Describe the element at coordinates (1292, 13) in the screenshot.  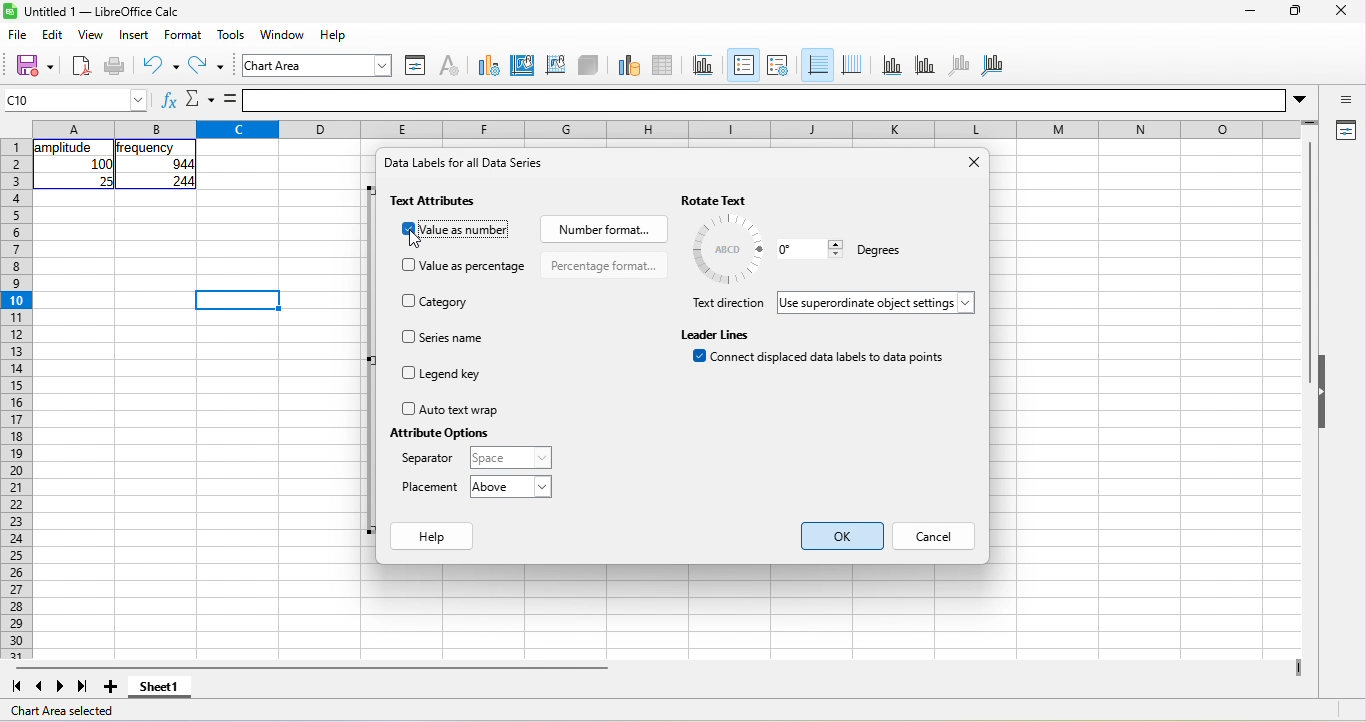
I see `maximize` at that location.